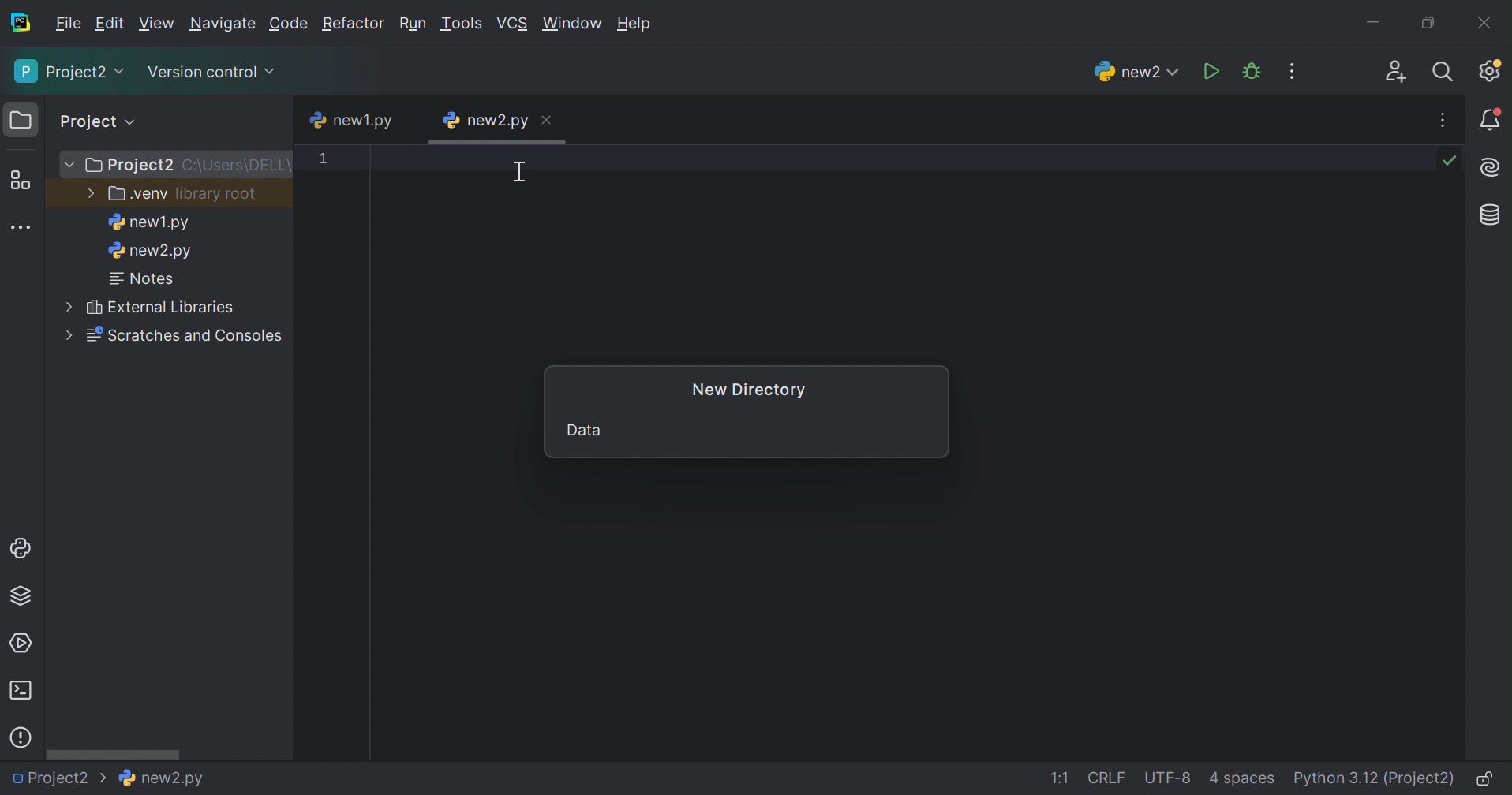  I want to click on Close, so click(1486, 22).